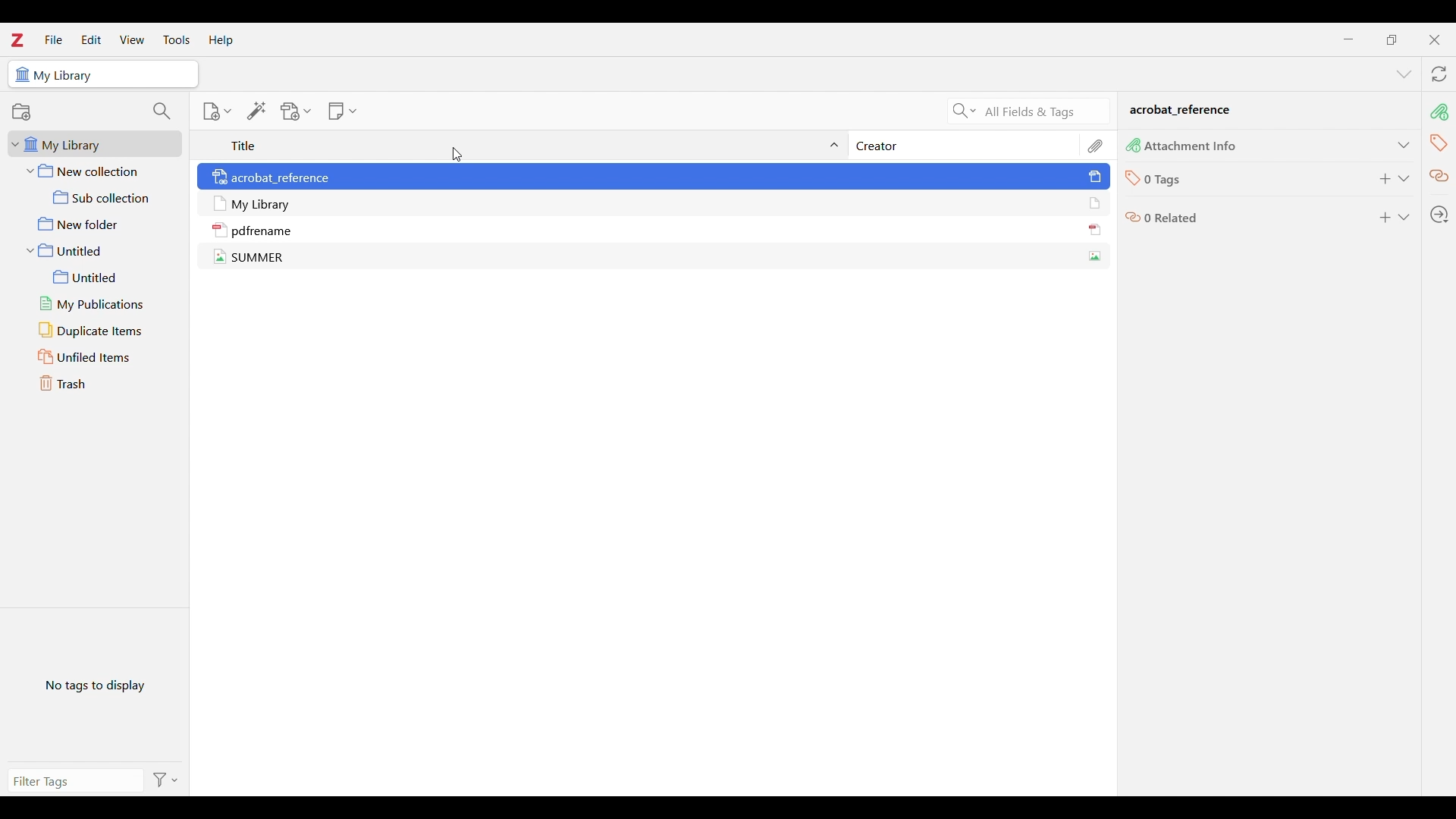 This screenshot has height=819, width=1456. I want to click on Minimize, so click(1348, 39).